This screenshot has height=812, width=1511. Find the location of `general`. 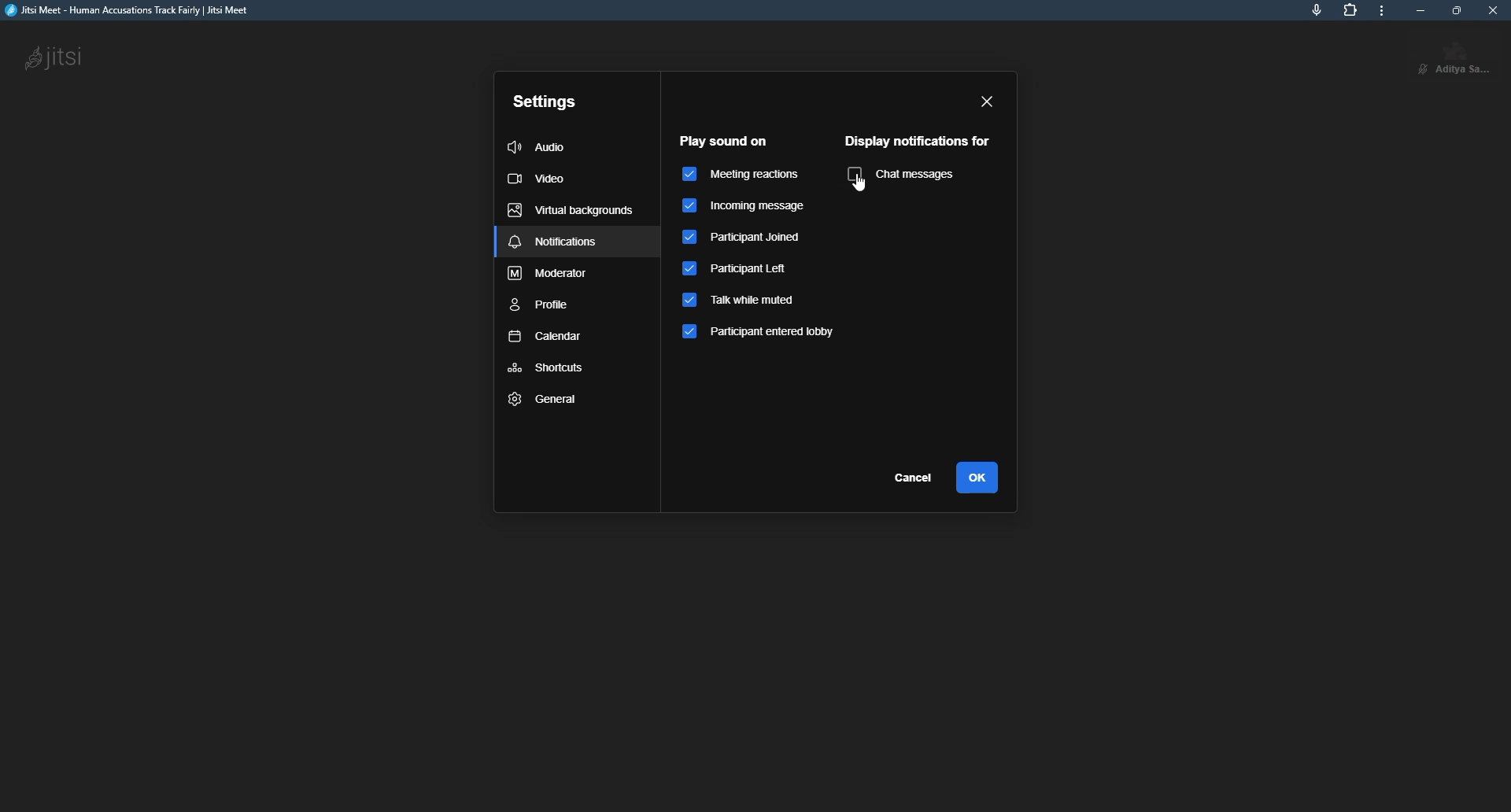

general is located at coordinates (545, 399).